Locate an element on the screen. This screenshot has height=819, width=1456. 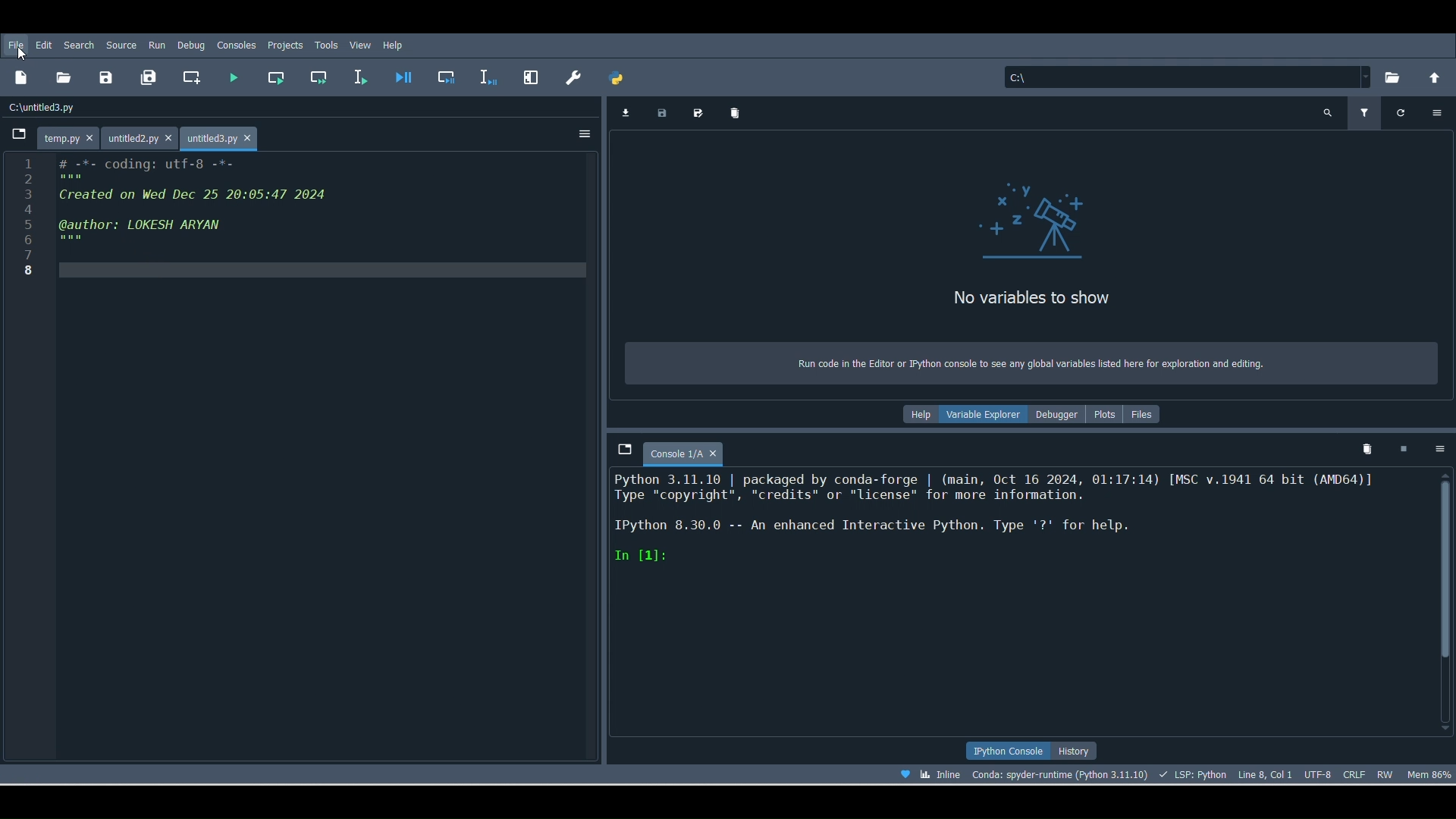
Console 1/A is located at coordinates (692, 450).